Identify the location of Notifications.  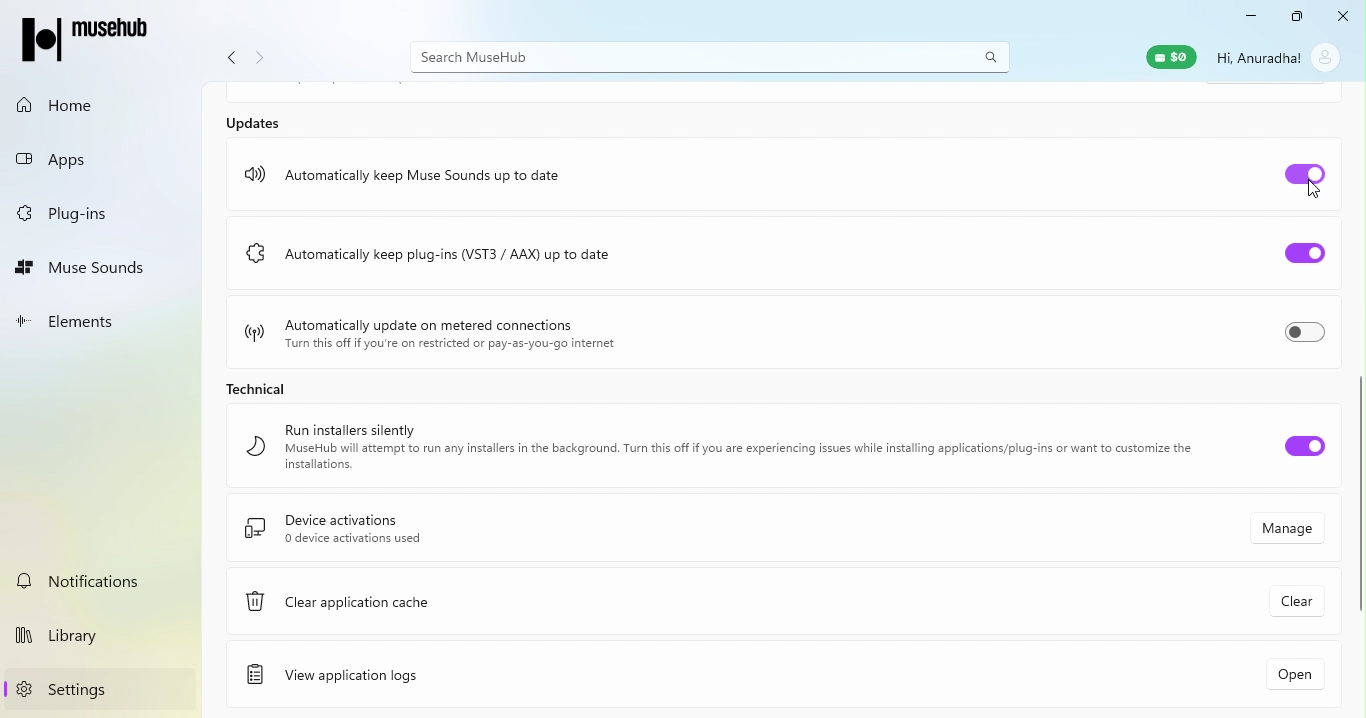
(104, 580).